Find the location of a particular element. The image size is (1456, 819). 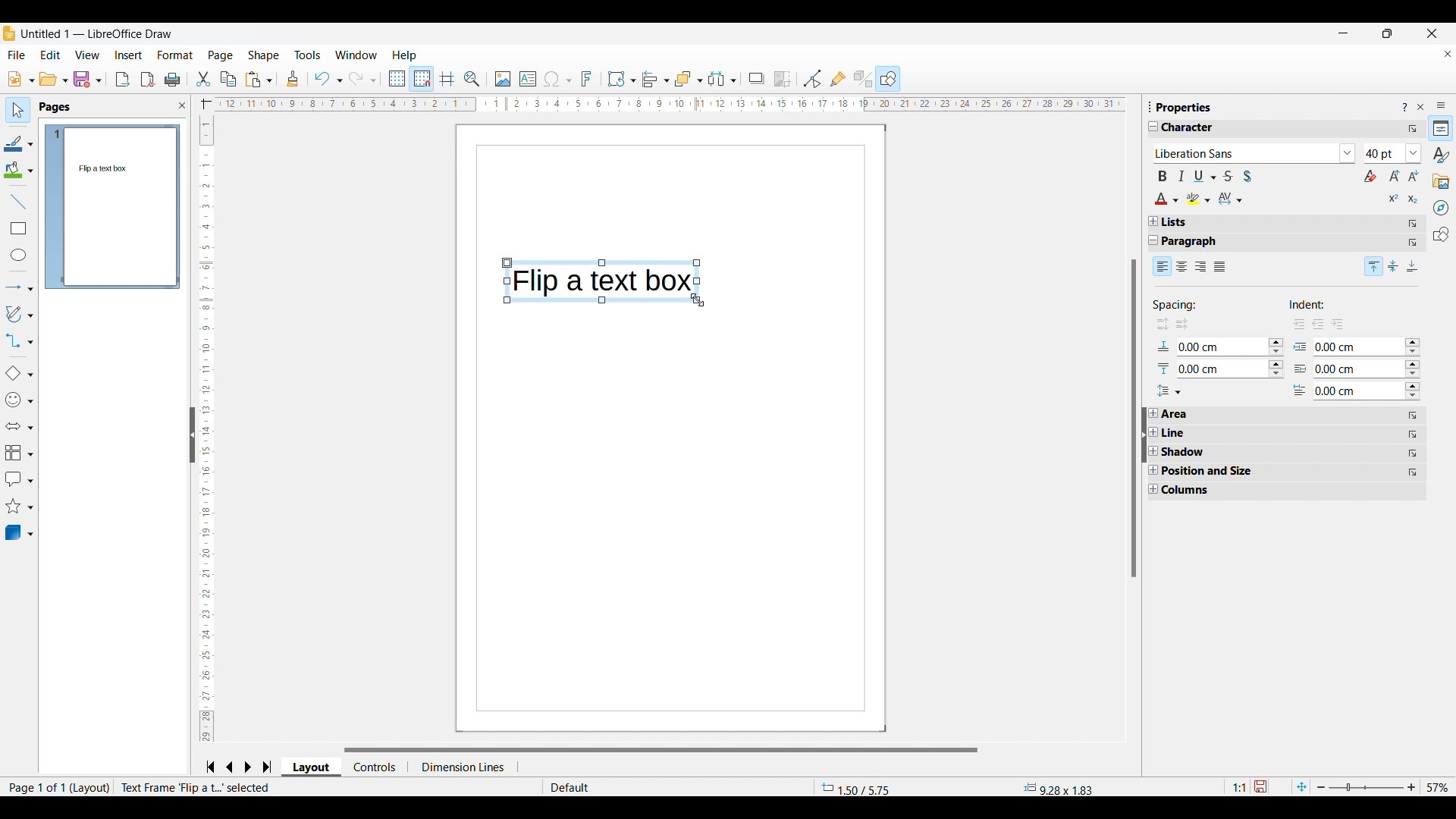

Close sidebar is located at coordinates (1421, 107).